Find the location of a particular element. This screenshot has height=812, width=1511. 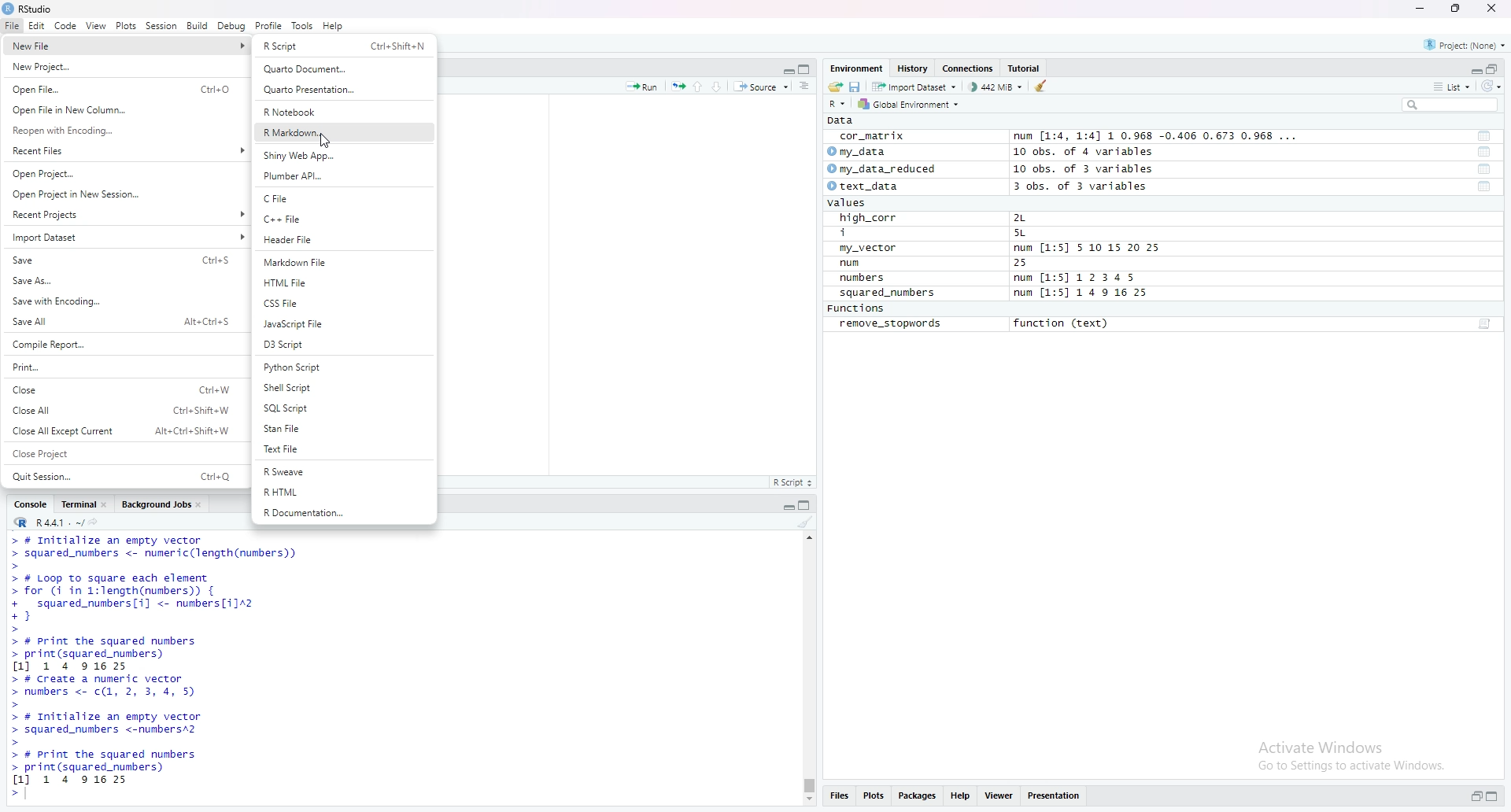

JavaScript File is located at coordinates (340, 324).